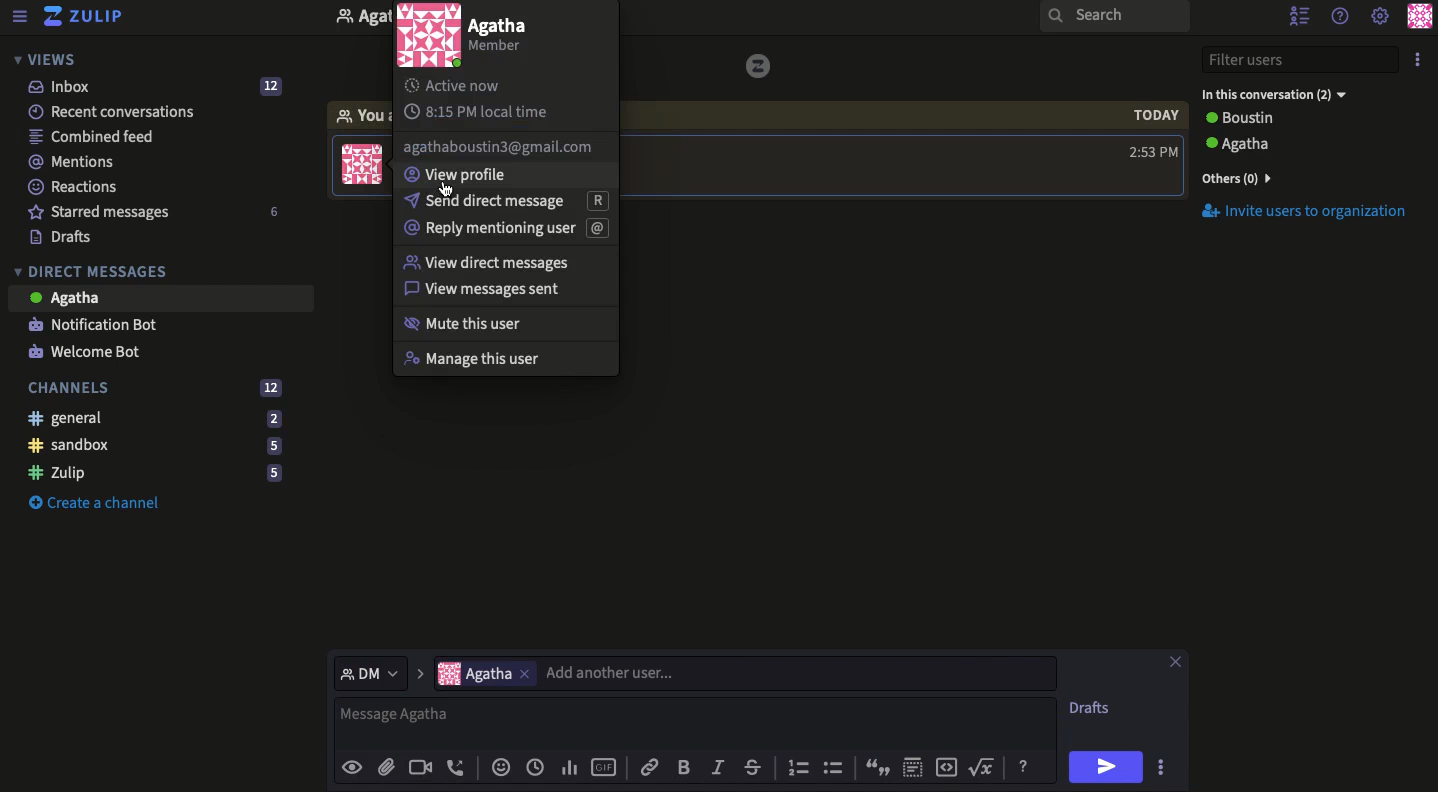 This screenshot has width=1438, height=792. What do you see at coordinates (836, 767) in the screenshot?
I see `Bullet` at bounding box center [836, 767].